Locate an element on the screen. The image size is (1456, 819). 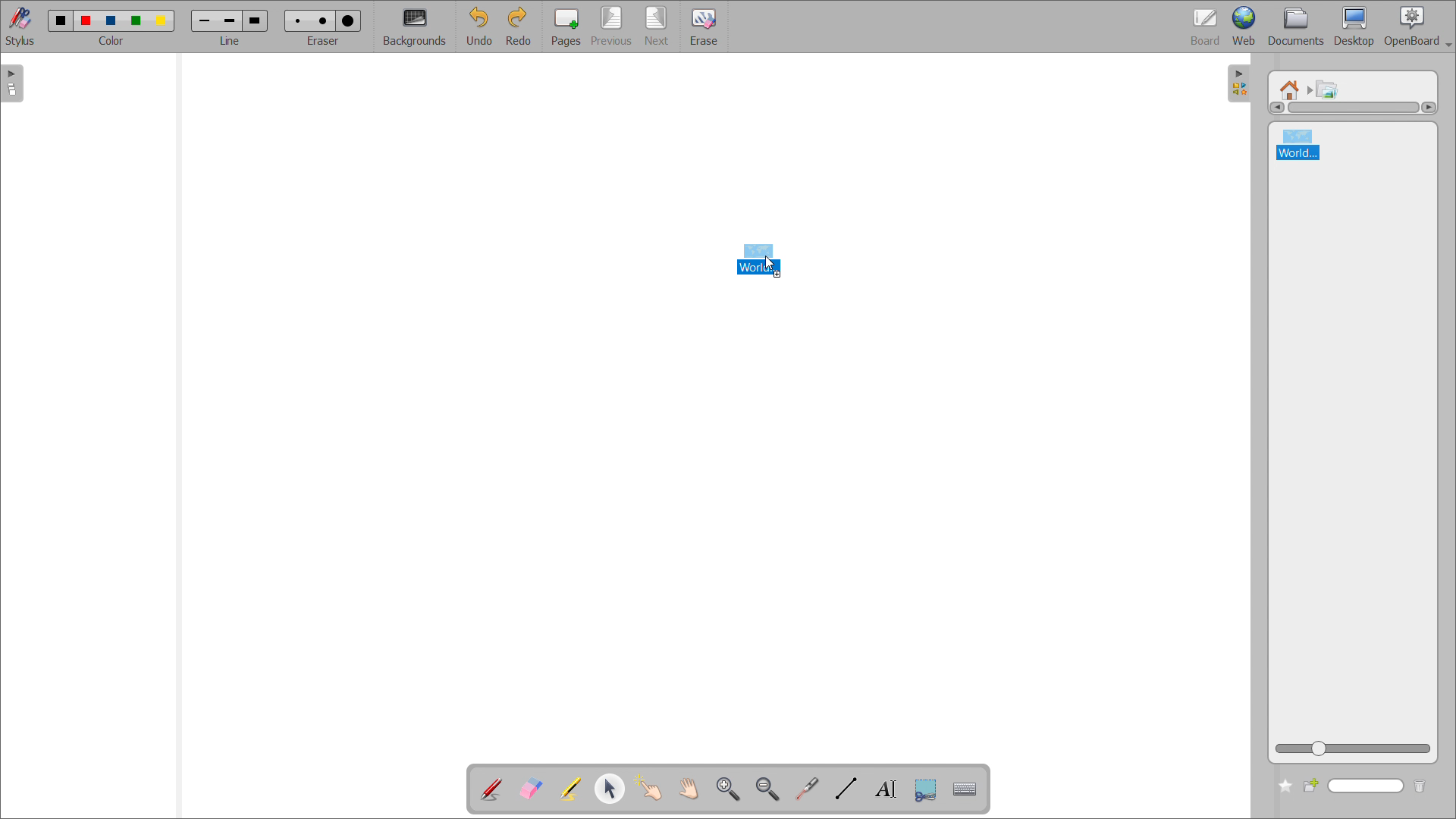
openboard settings is located at coordinates (1417, 27).